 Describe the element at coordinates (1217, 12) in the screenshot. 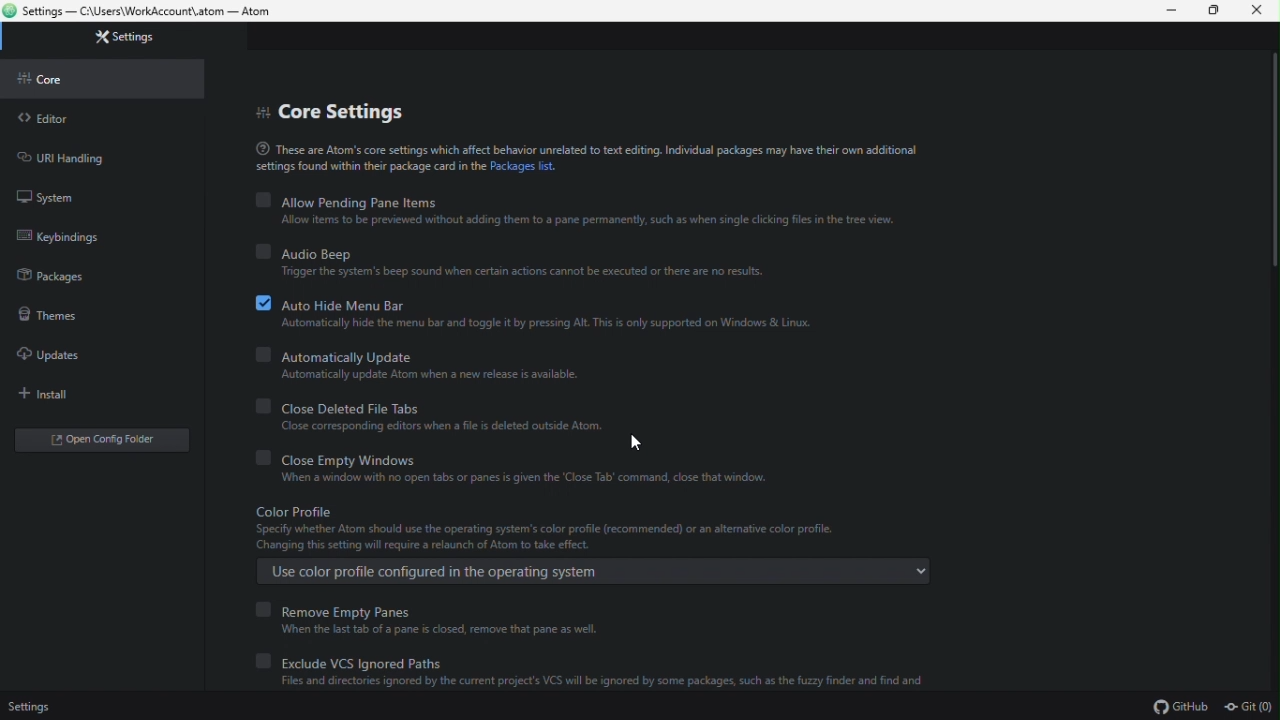

I see `maximize` at that location.